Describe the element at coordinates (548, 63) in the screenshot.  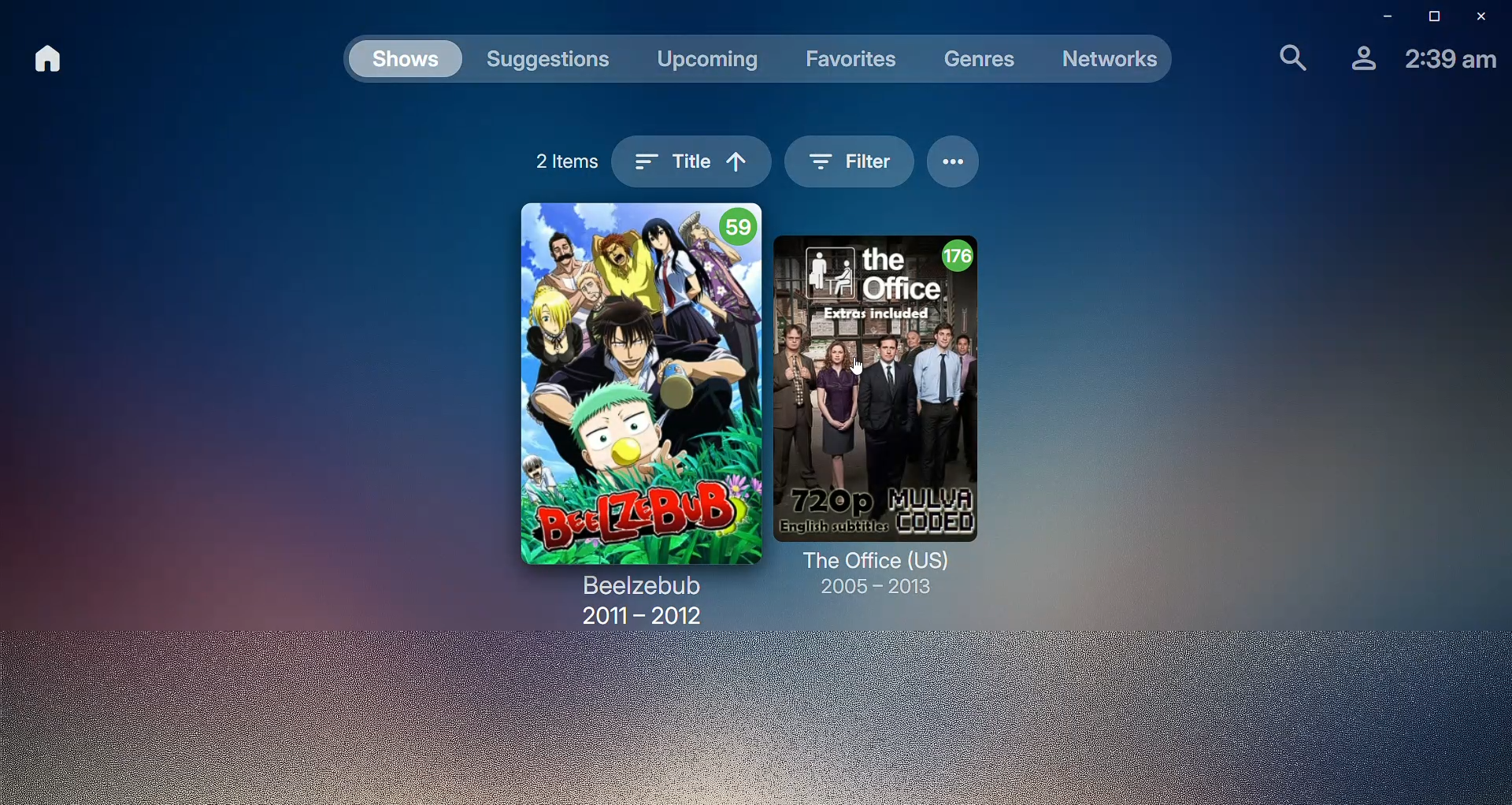
I see `Suggestions` at that location.